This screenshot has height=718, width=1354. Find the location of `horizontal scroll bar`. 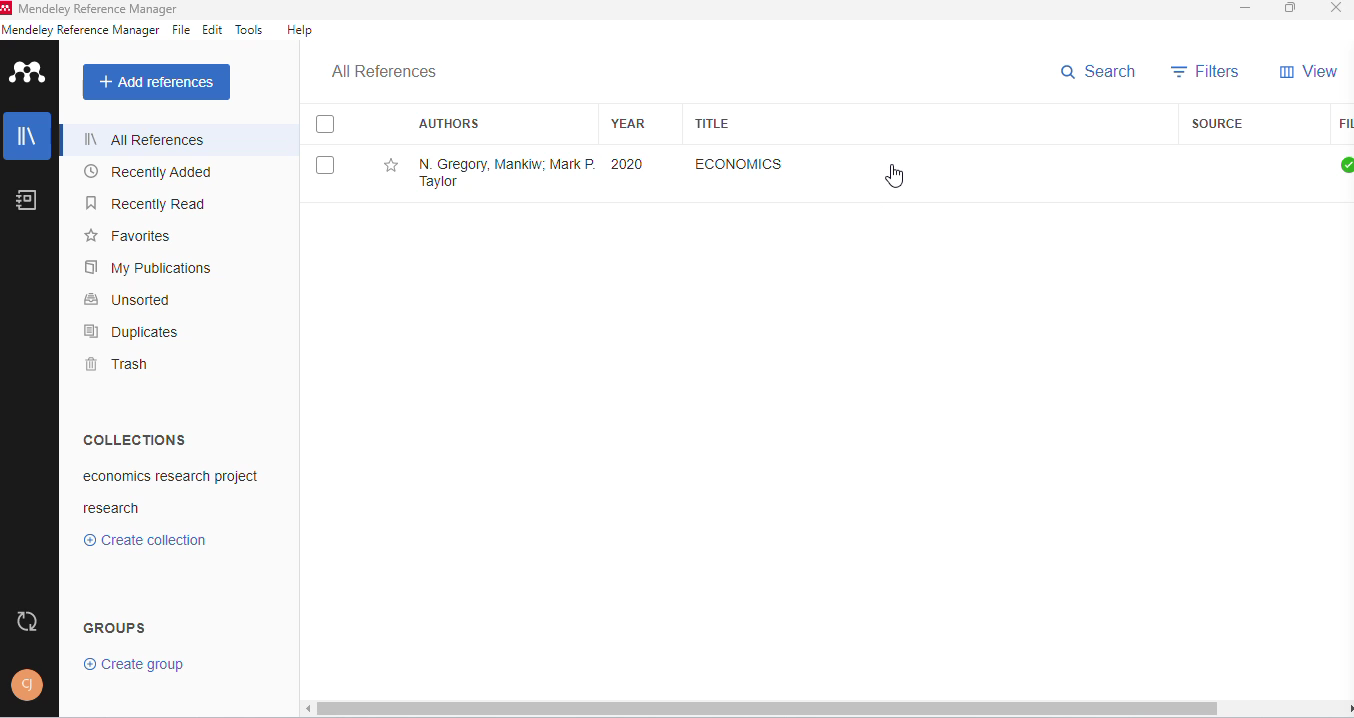

horizontal scroll bar is located at coordinates (768, 708).